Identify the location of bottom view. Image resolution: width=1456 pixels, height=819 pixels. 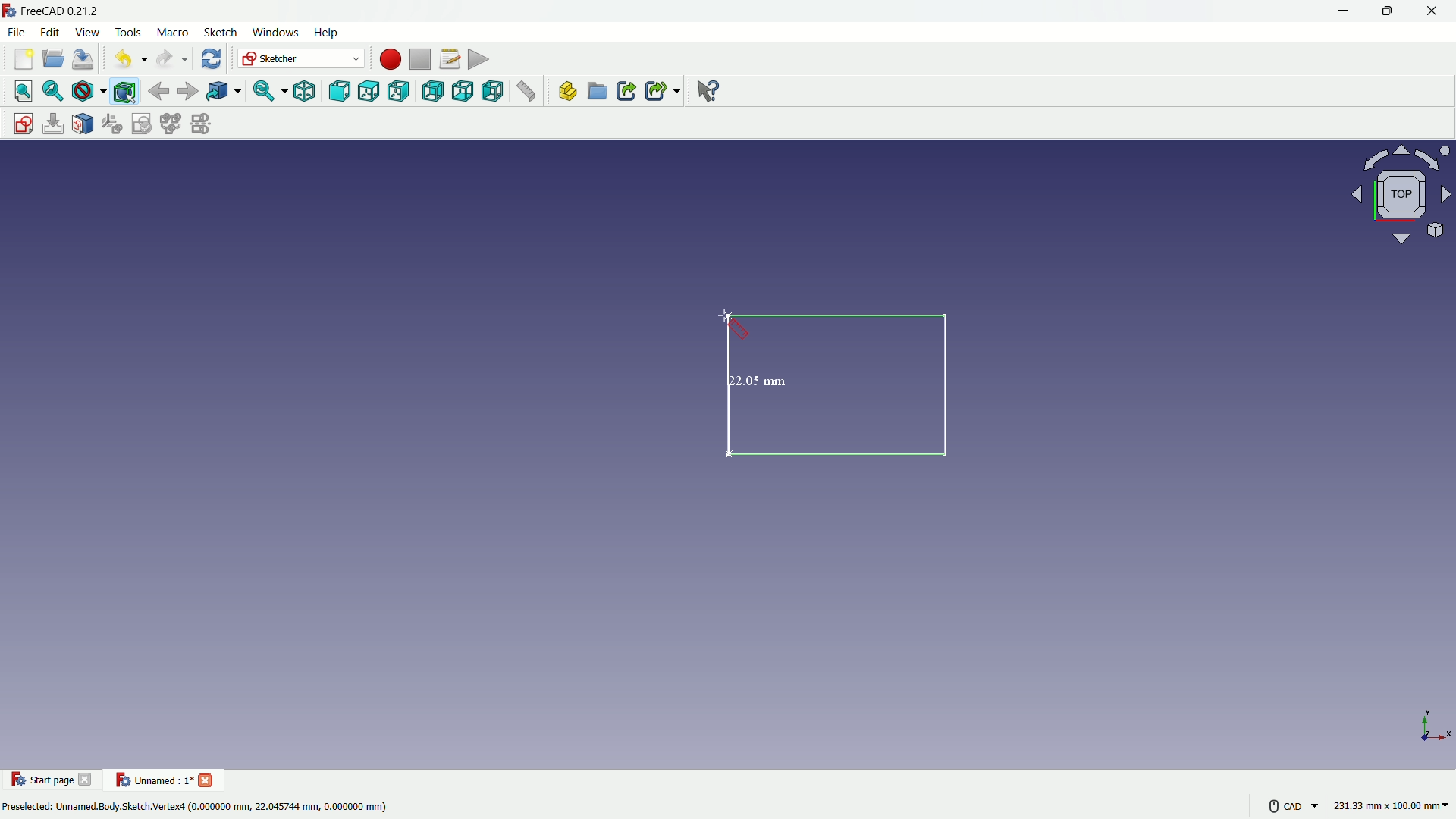
(463, 93).